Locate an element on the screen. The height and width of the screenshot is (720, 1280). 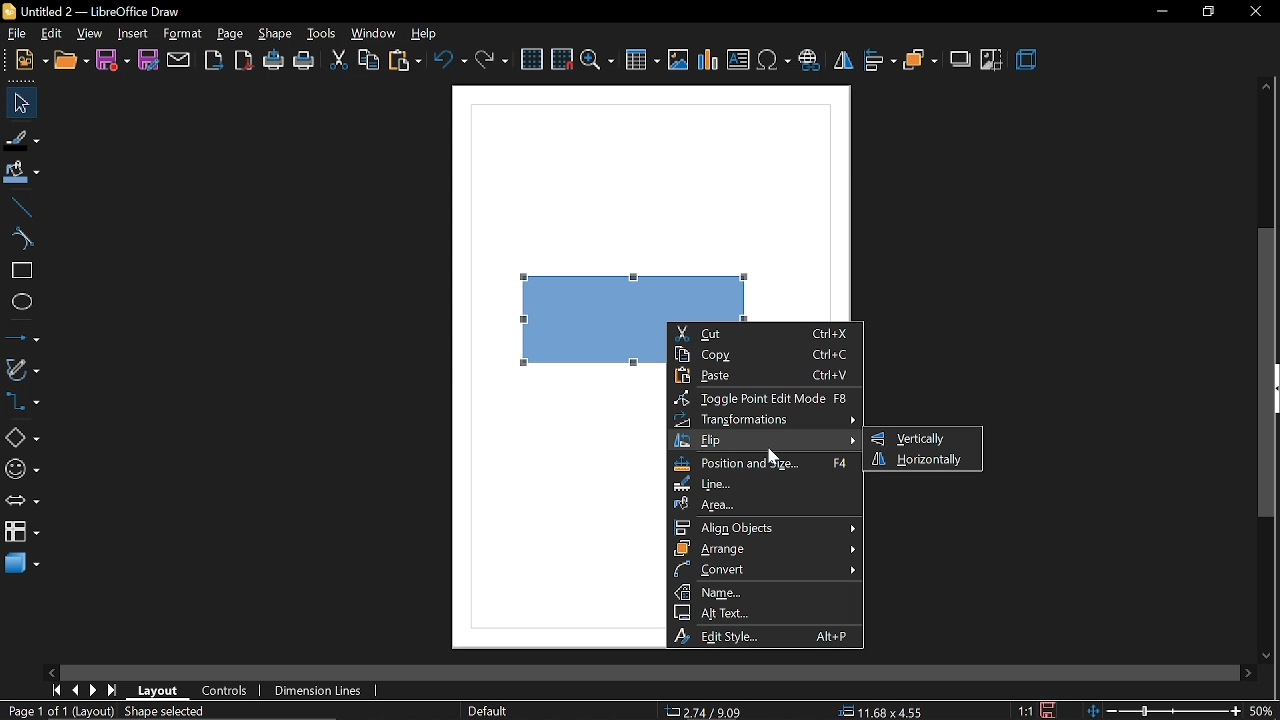
transformation is located at coordinates (763, 419).